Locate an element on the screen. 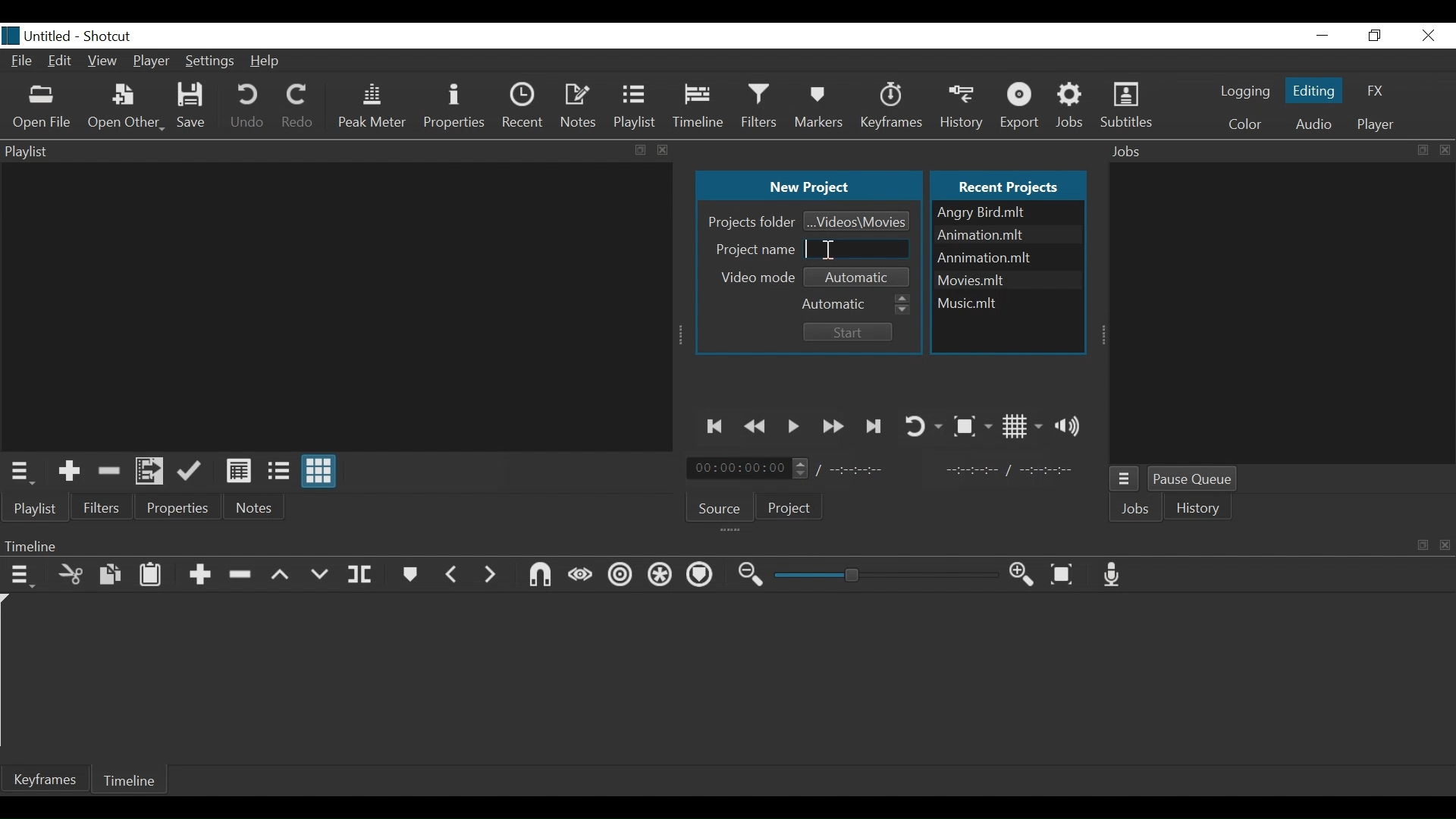 The image size is (1456, 819). minimize is located at coordinates (1323, 35).